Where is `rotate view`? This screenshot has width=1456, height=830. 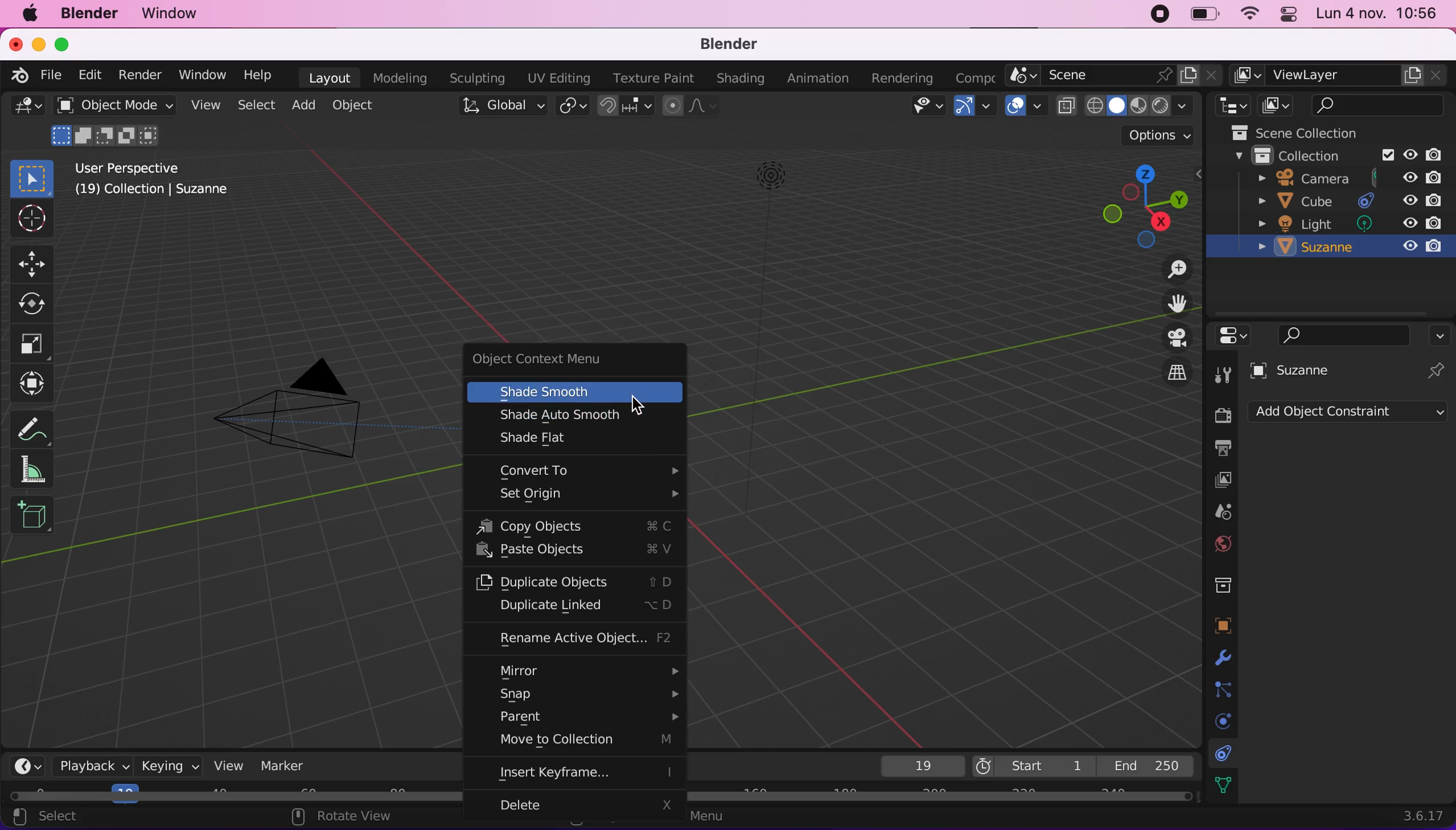
rotate view is located at coordinates (350, 817).